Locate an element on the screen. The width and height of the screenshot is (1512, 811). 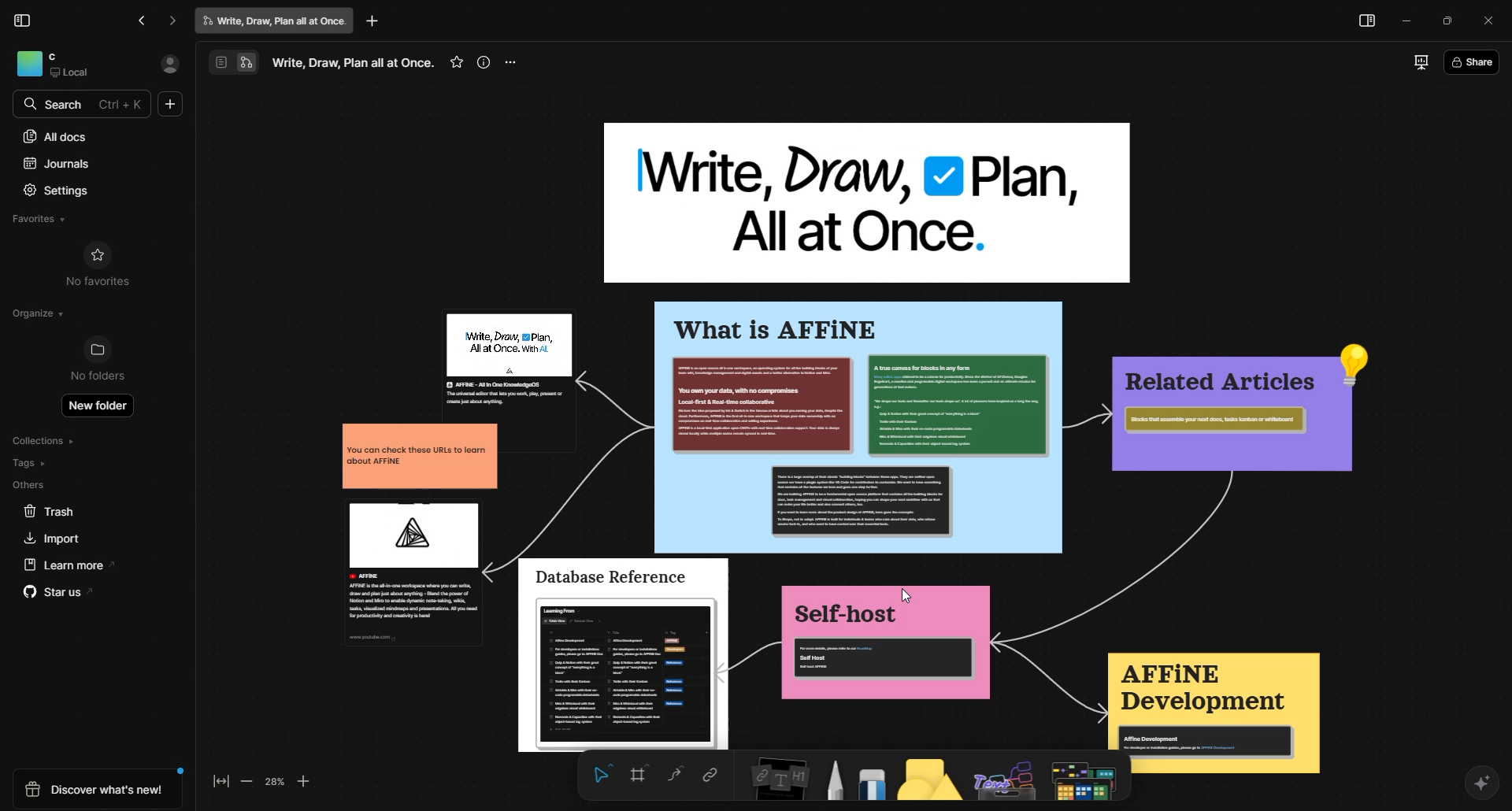
learn more is located at coordinates (64, 565).